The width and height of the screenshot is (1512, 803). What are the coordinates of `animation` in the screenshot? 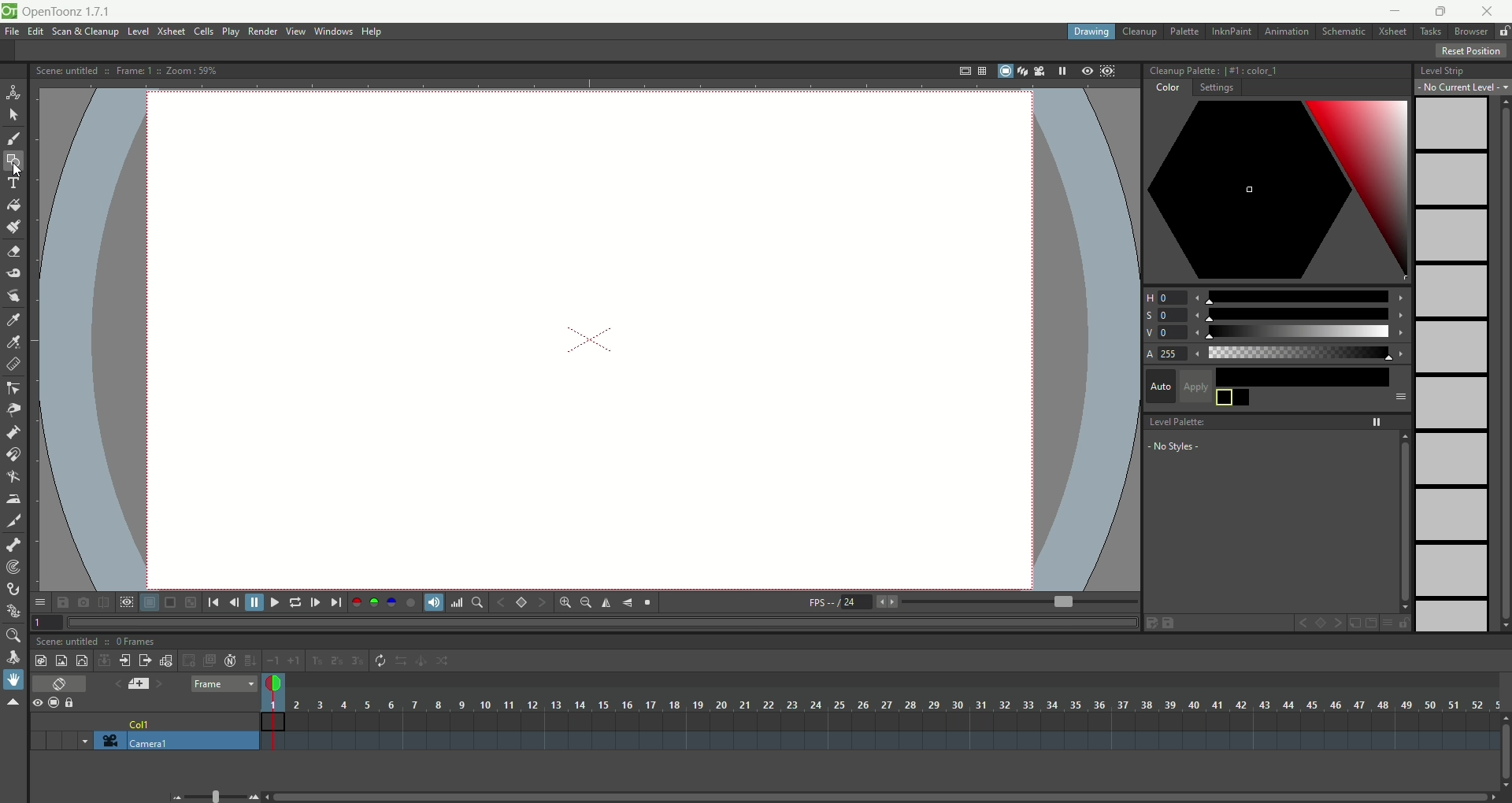 It's located at (1290, 32).